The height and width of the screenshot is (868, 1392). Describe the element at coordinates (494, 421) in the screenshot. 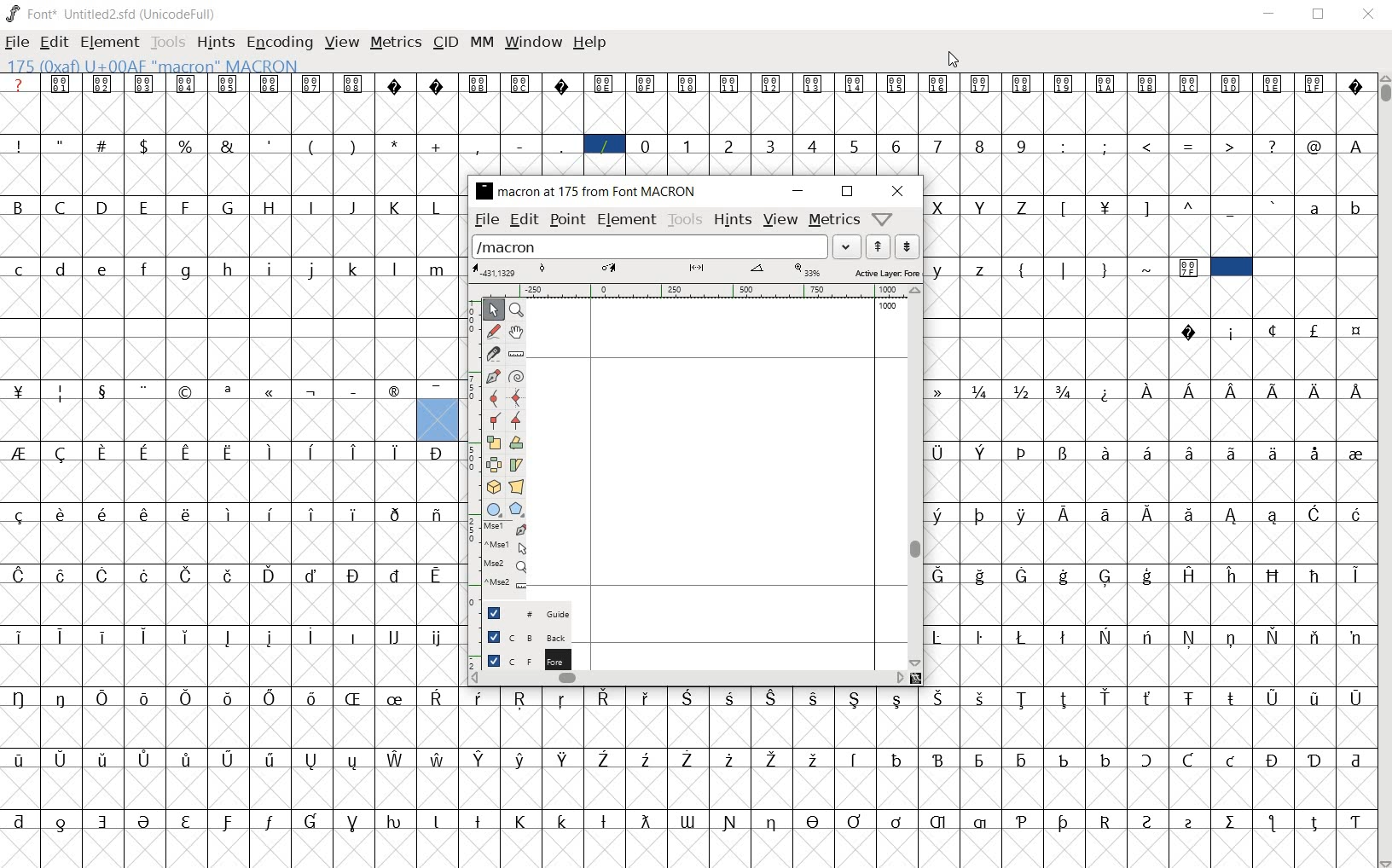

I see `corner` at that location.